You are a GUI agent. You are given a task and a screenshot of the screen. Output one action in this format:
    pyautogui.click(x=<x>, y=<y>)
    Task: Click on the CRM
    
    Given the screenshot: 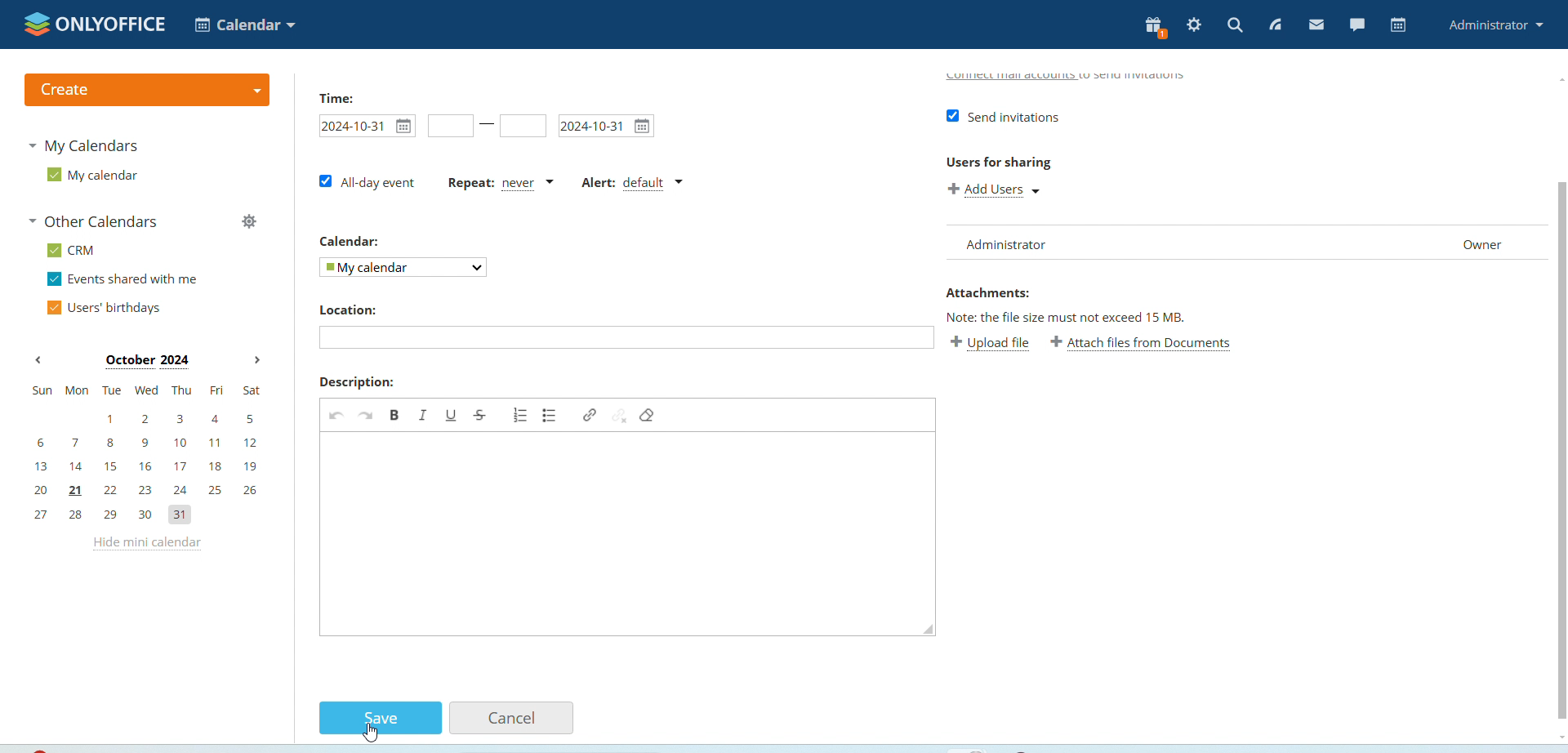 What is the action you would take?
    pyautogui.click(x=73, y=250)
    